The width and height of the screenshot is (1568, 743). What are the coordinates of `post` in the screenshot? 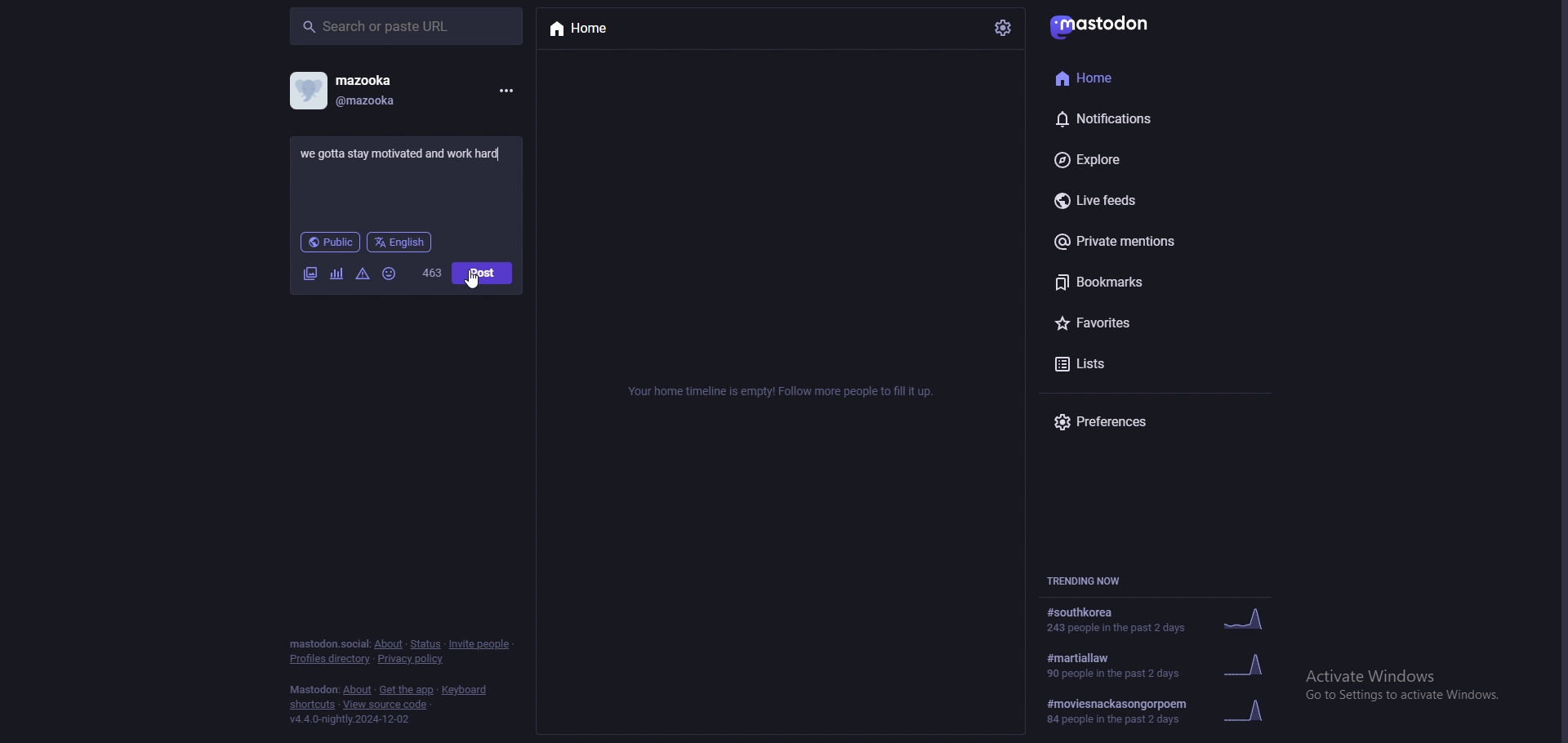 It's located at (483, 273).